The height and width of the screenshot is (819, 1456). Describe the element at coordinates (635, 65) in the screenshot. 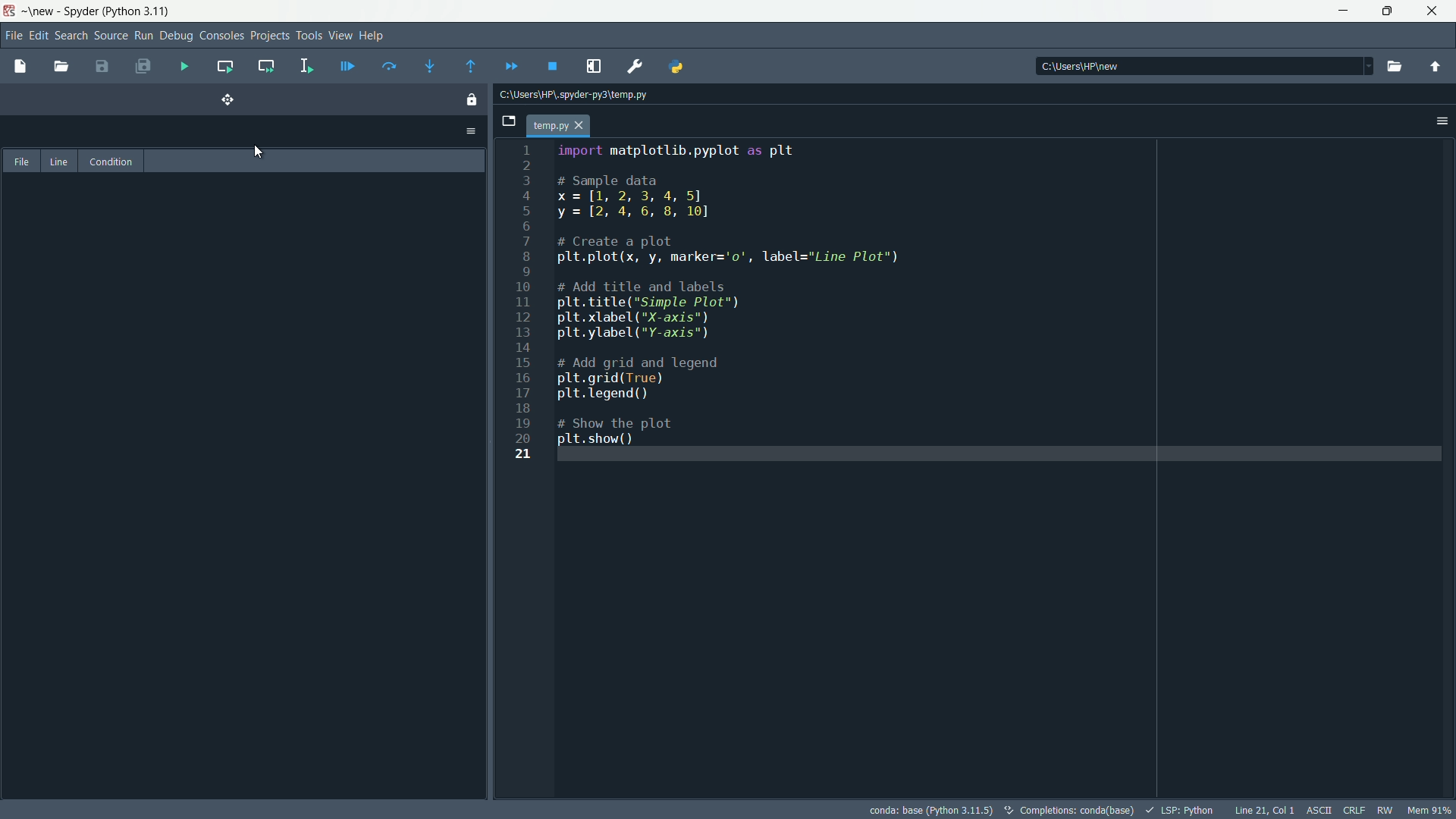

I see `preferences` at that location.